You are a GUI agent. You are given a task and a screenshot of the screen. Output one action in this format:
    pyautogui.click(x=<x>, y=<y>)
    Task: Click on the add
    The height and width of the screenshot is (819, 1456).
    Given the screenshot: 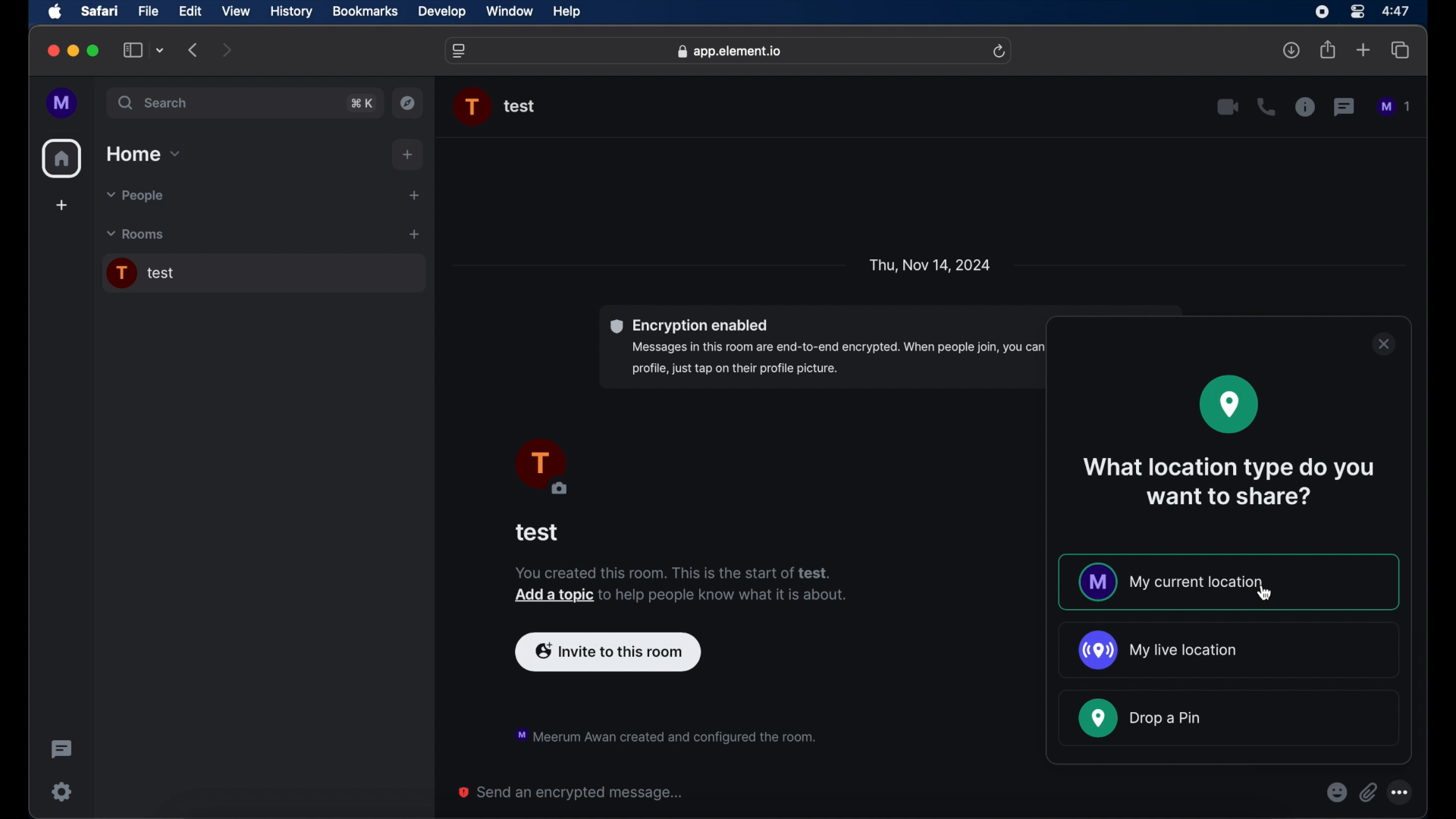 What is the action you would take?
    pyautogui.click(x=409, y=155)
    